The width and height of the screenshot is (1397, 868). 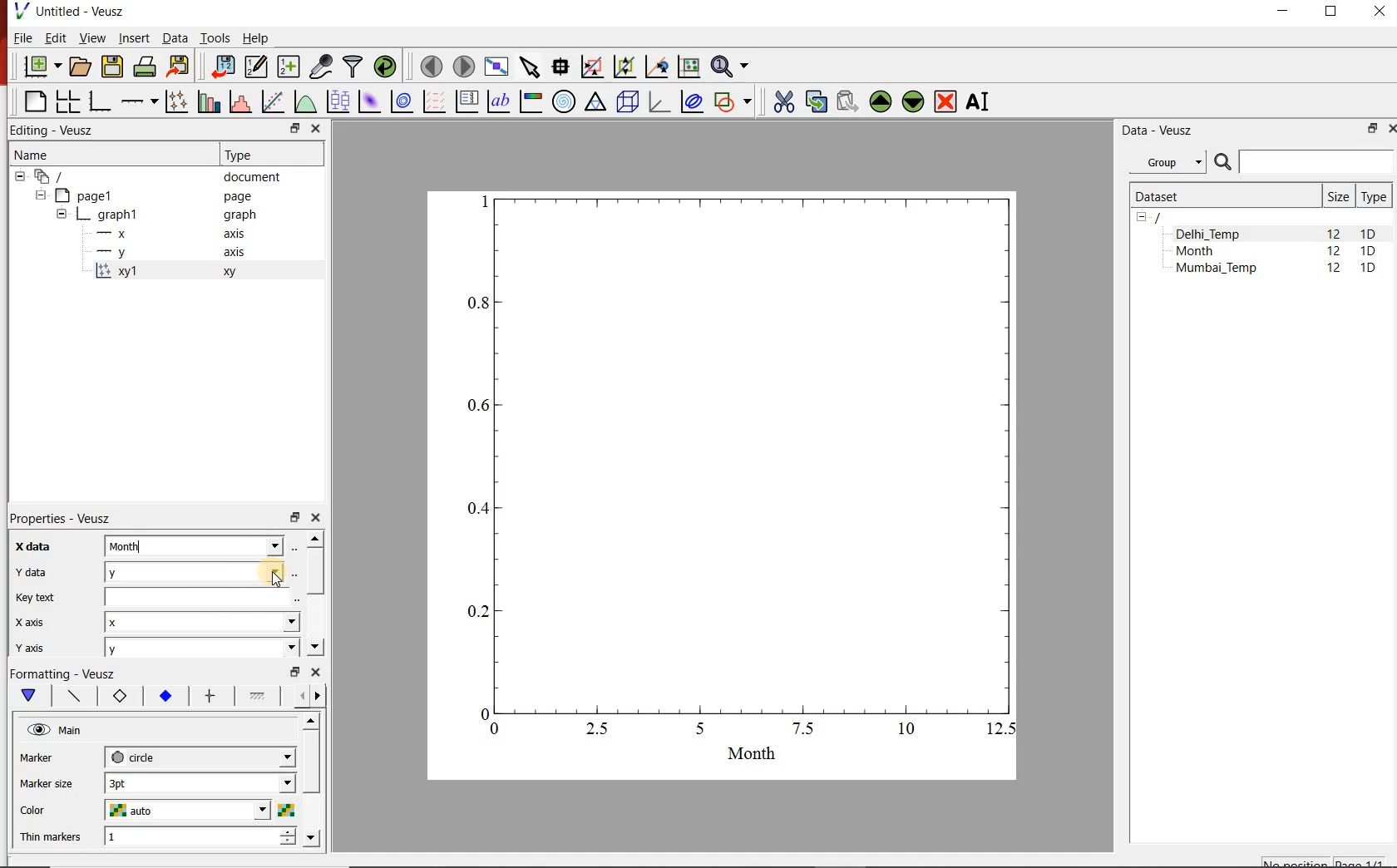 What do you see at coordinates (624, 67) in the screenshot?
I see `click to zoom out of graph axes` at bounding box center [624, 67].